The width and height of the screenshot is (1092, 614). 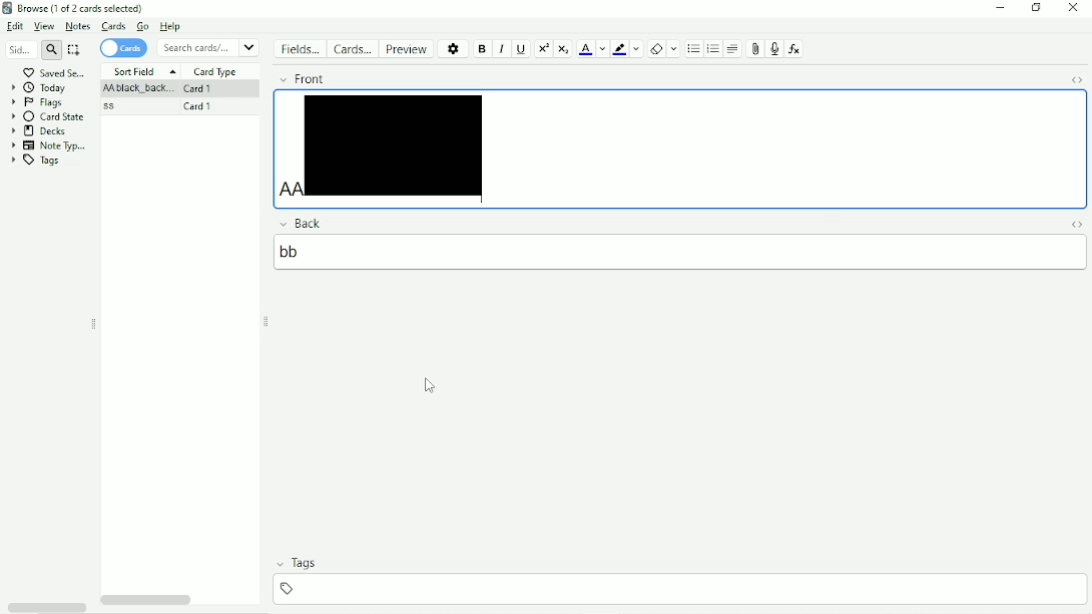 I want to click on Search in sidebar, so click(x=19, y=49).